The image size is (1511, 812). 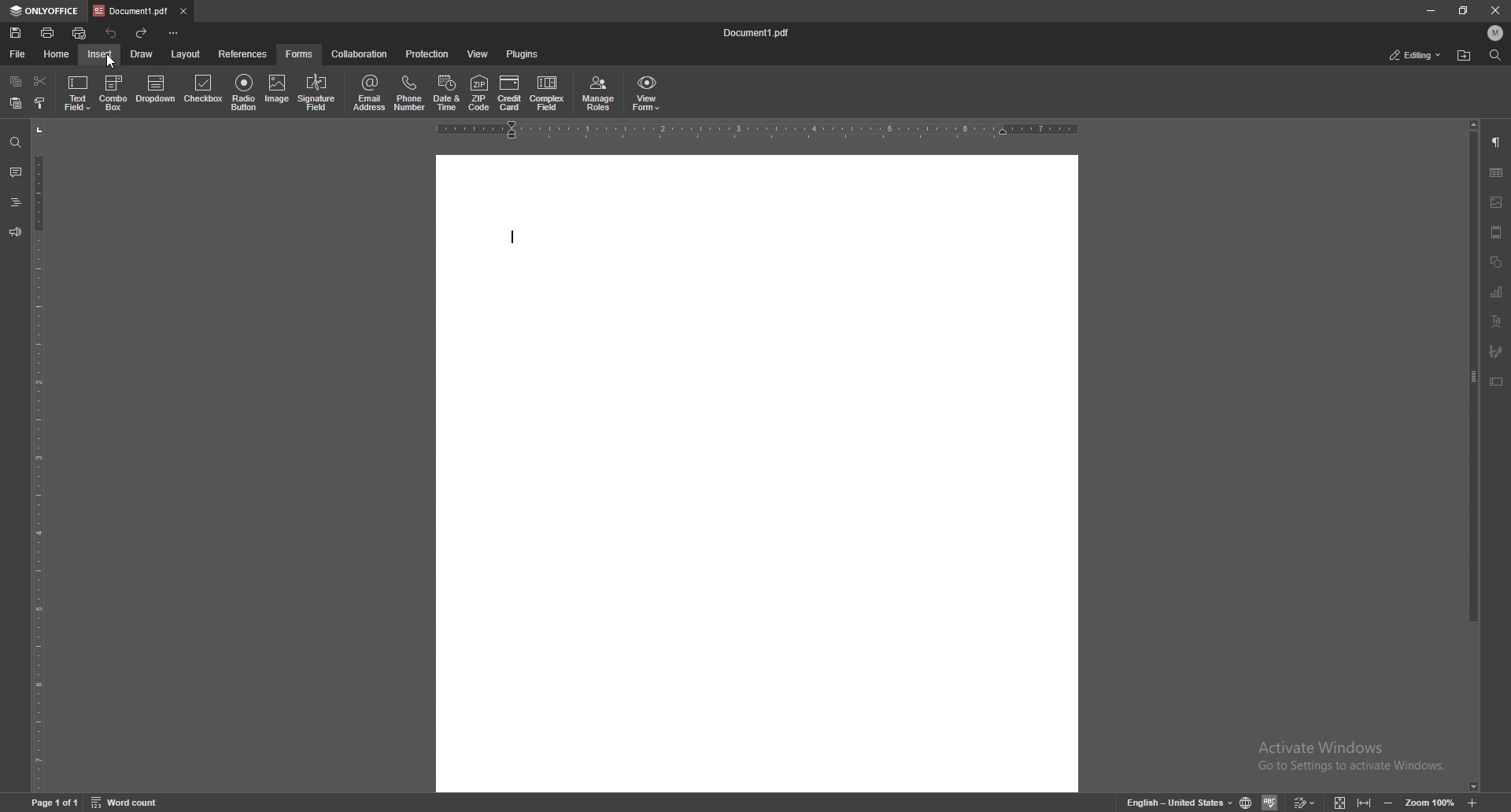 I want to click on copy, so click(x=14, y=82).